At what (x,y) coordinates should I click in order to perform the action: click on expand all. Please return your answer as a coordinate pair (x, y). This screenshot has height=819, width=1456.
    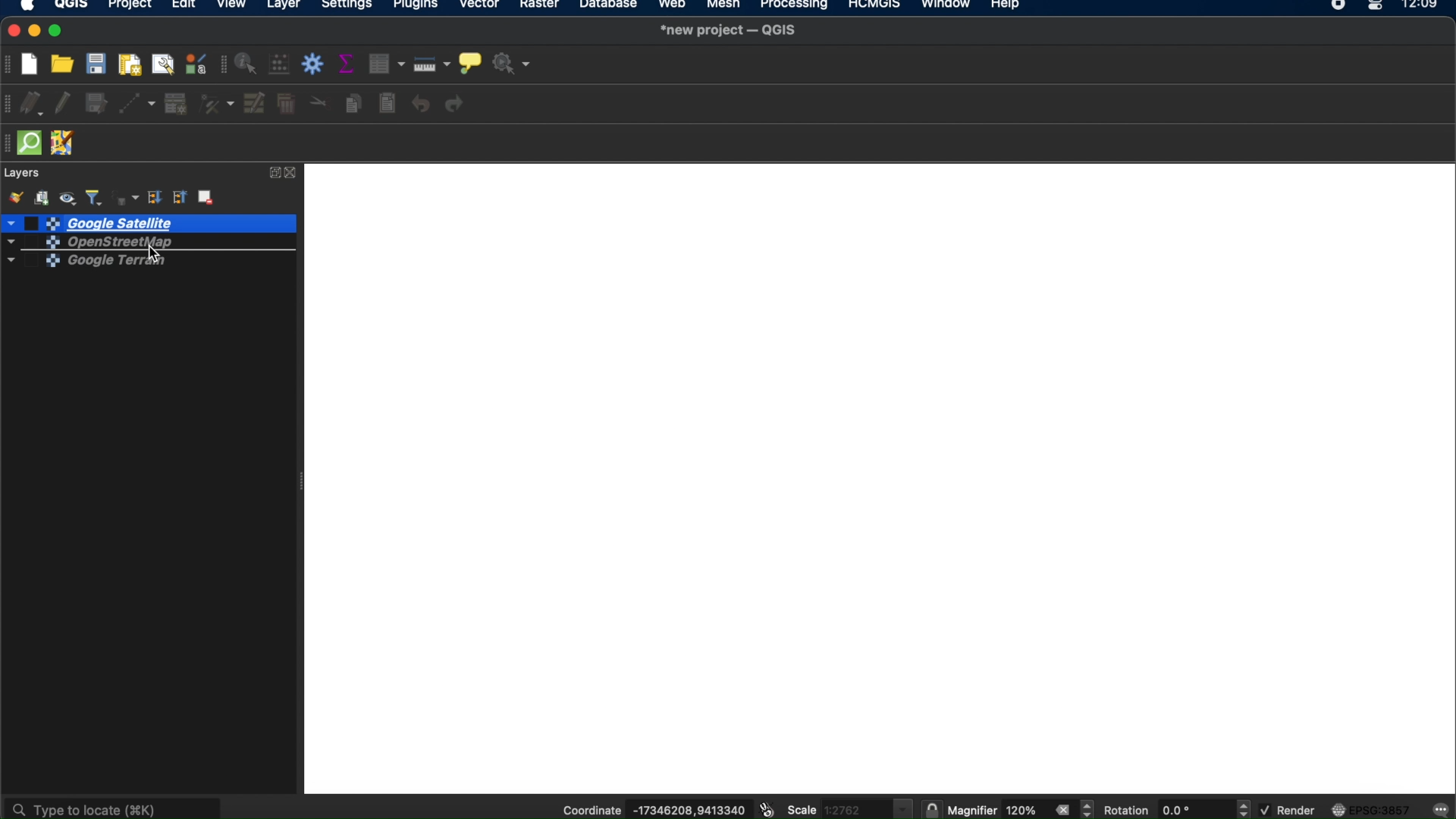
    Looking at the image, I should click on (154, 198).